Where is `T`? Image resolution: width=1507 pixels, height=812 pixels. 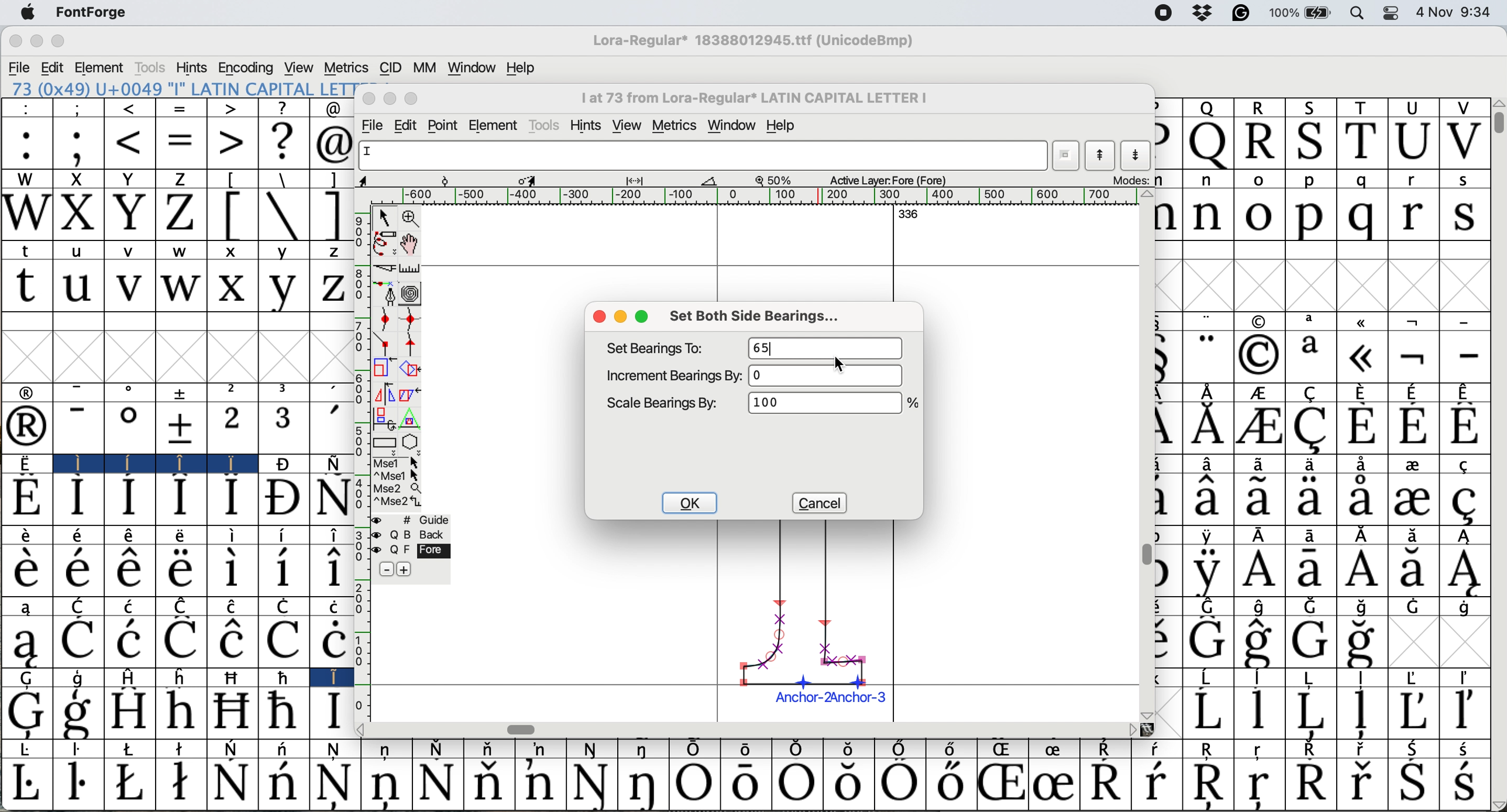
T is located at coordinates (1361, 106).